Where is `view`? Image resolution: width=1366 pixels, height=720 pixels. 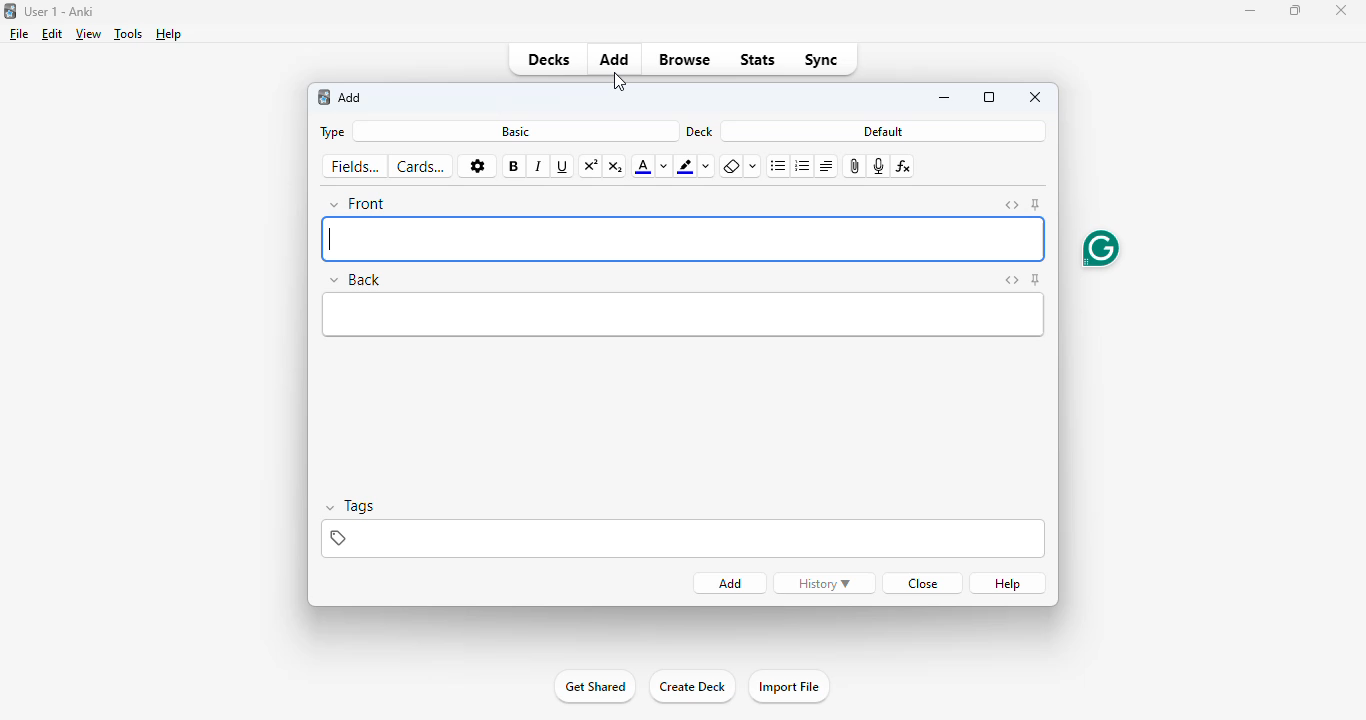
view is located at coordinates (89, 33).